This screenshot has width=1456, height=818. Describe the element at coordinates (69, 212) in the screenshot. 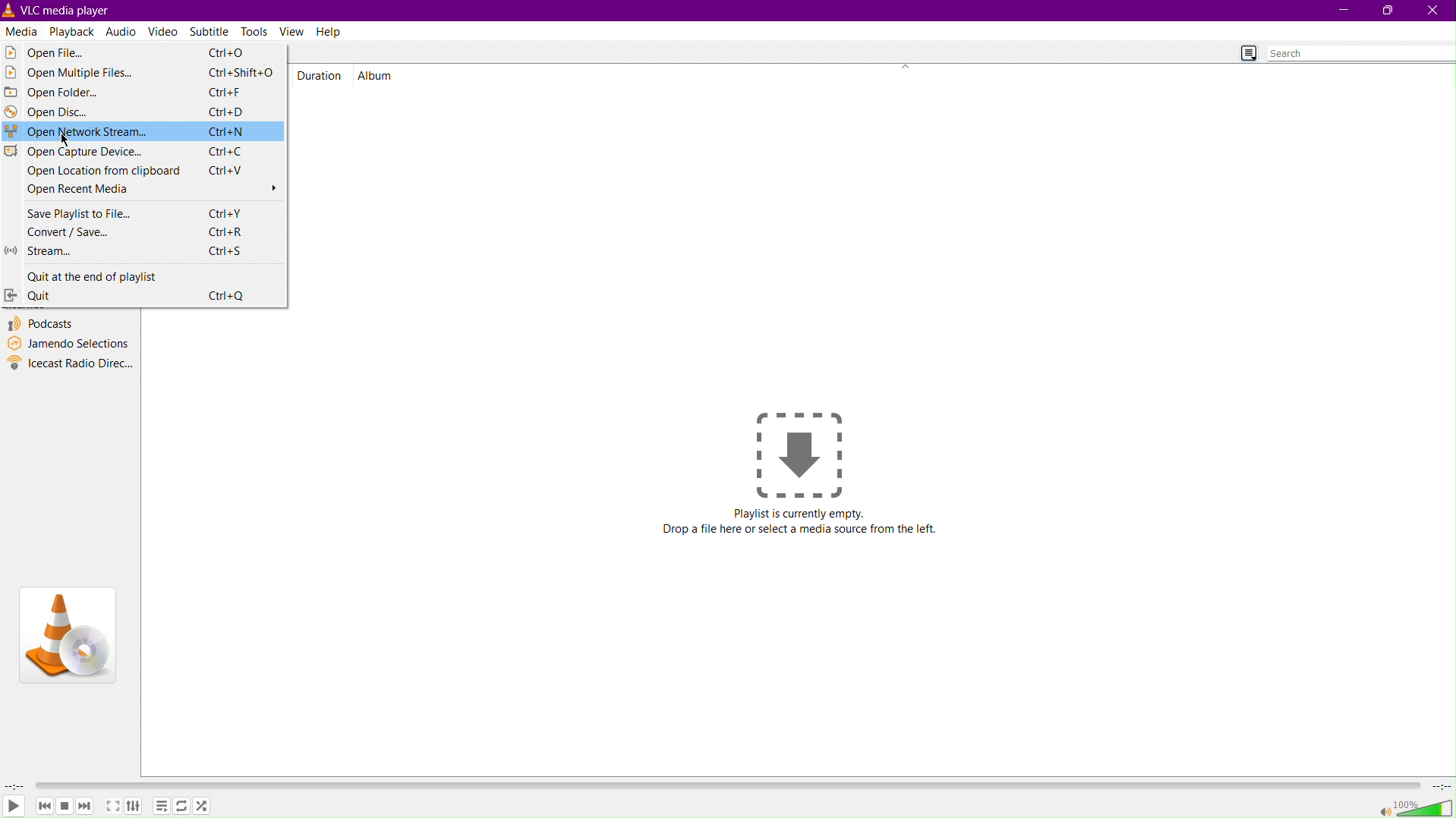

I see `Save Playlist to File` at that location.